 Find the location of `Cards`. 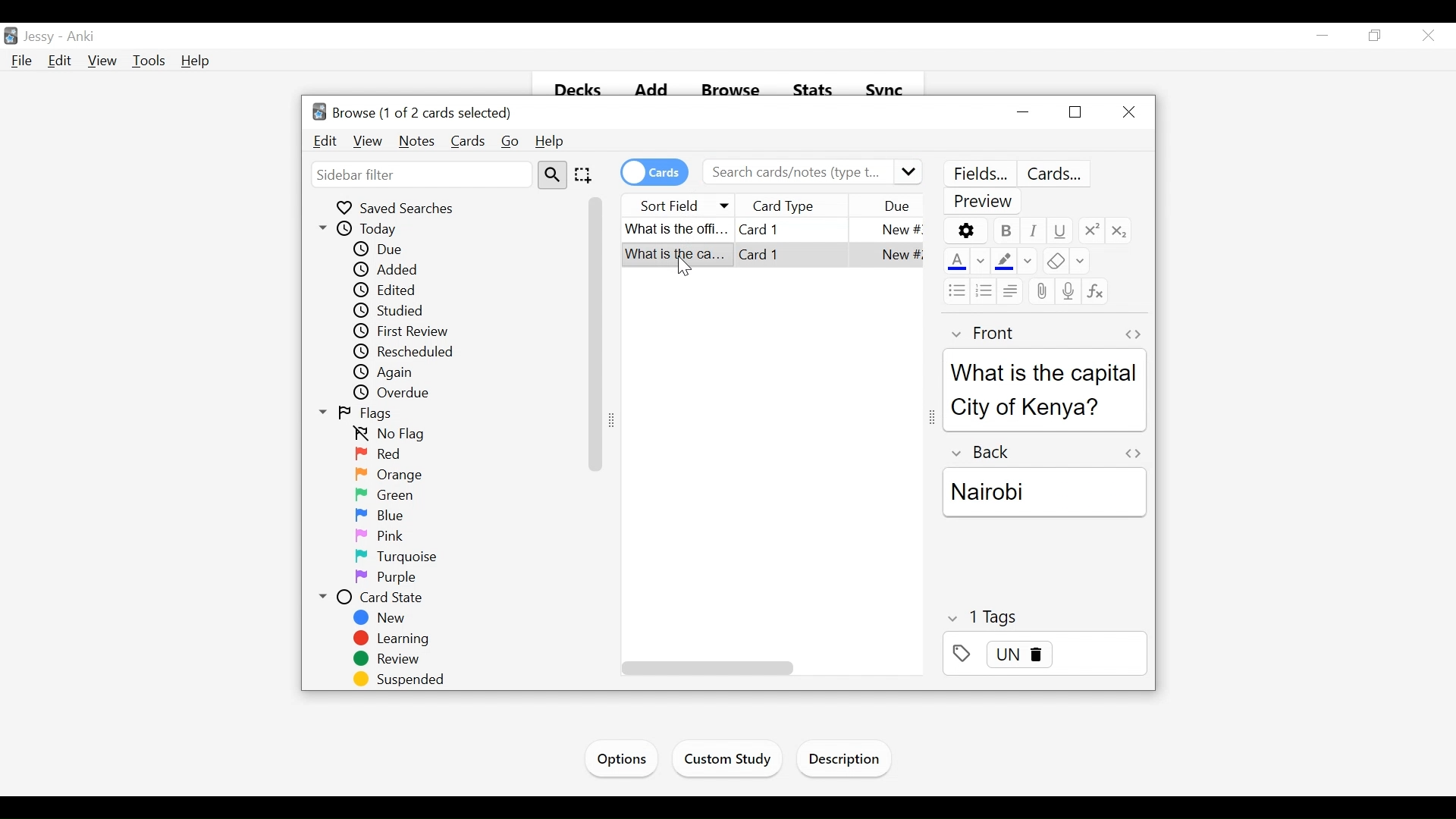

Cards is located at coordinates (468, 141).